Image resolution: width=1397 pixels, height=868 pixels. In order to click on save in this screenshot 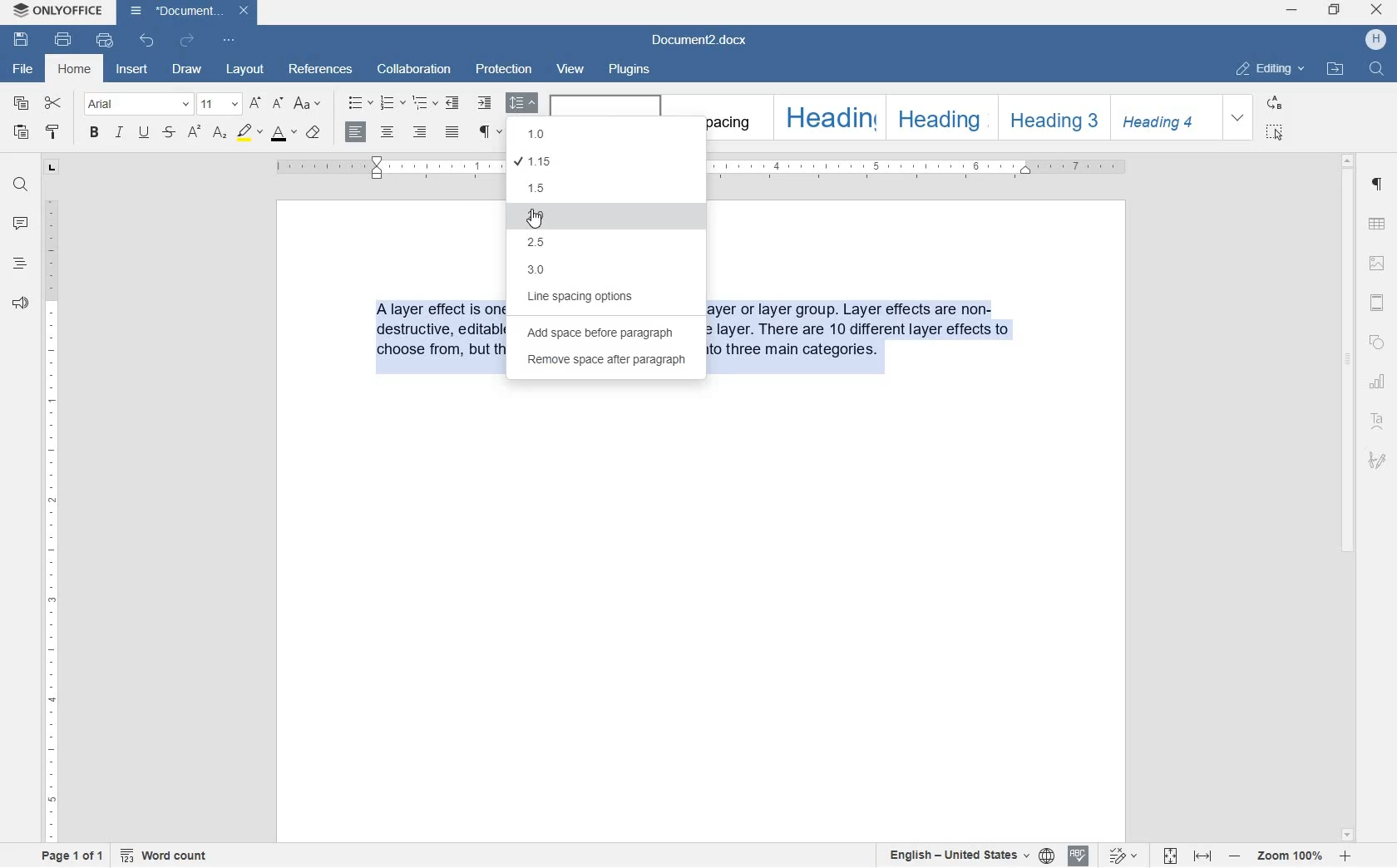, I will do `click(22, 41)`.